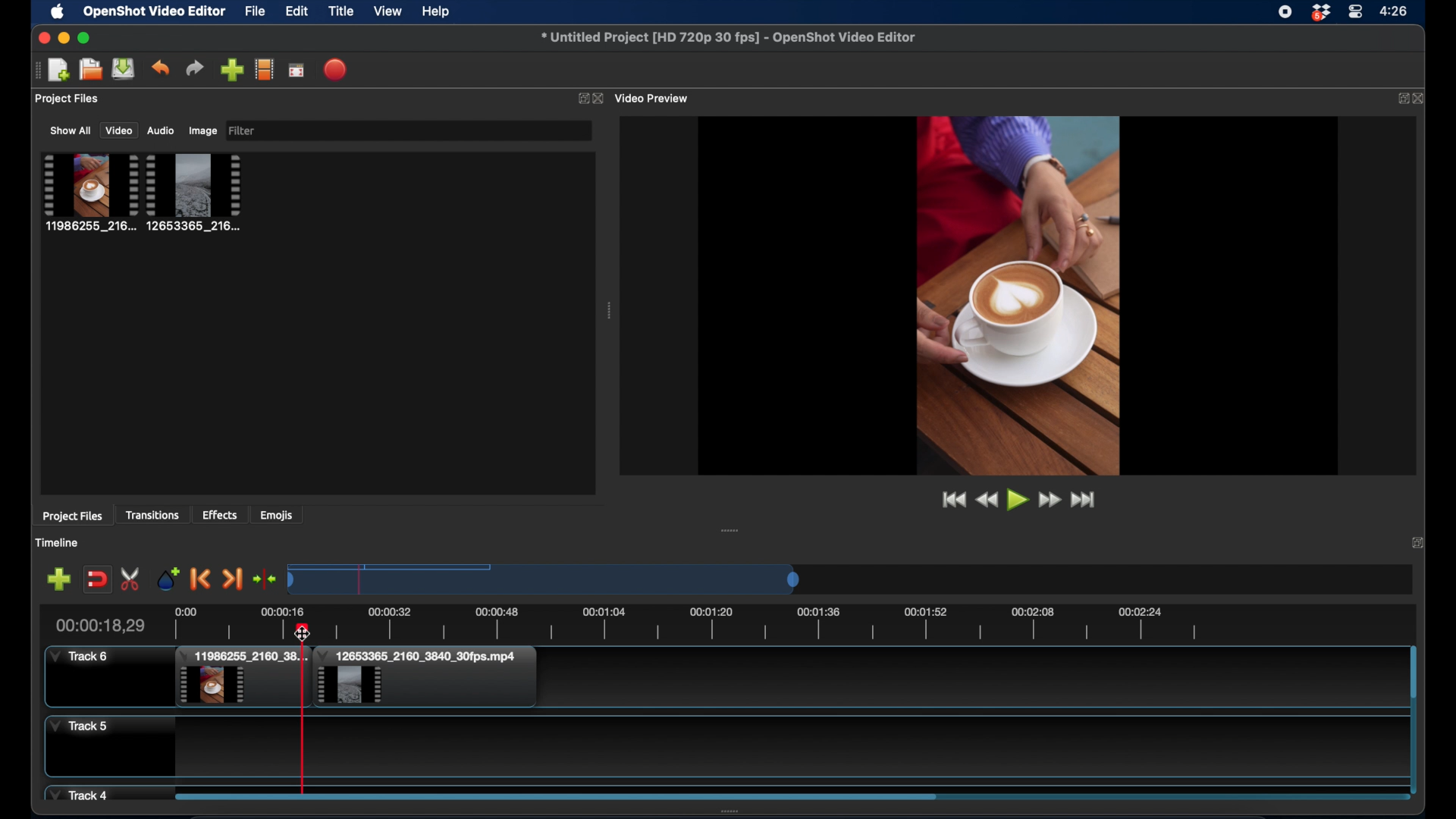 This screenshot has width=1456, height=819. Describe the element at coordinates (731, 530) in the screenshot. I see `drag handle` at that location.